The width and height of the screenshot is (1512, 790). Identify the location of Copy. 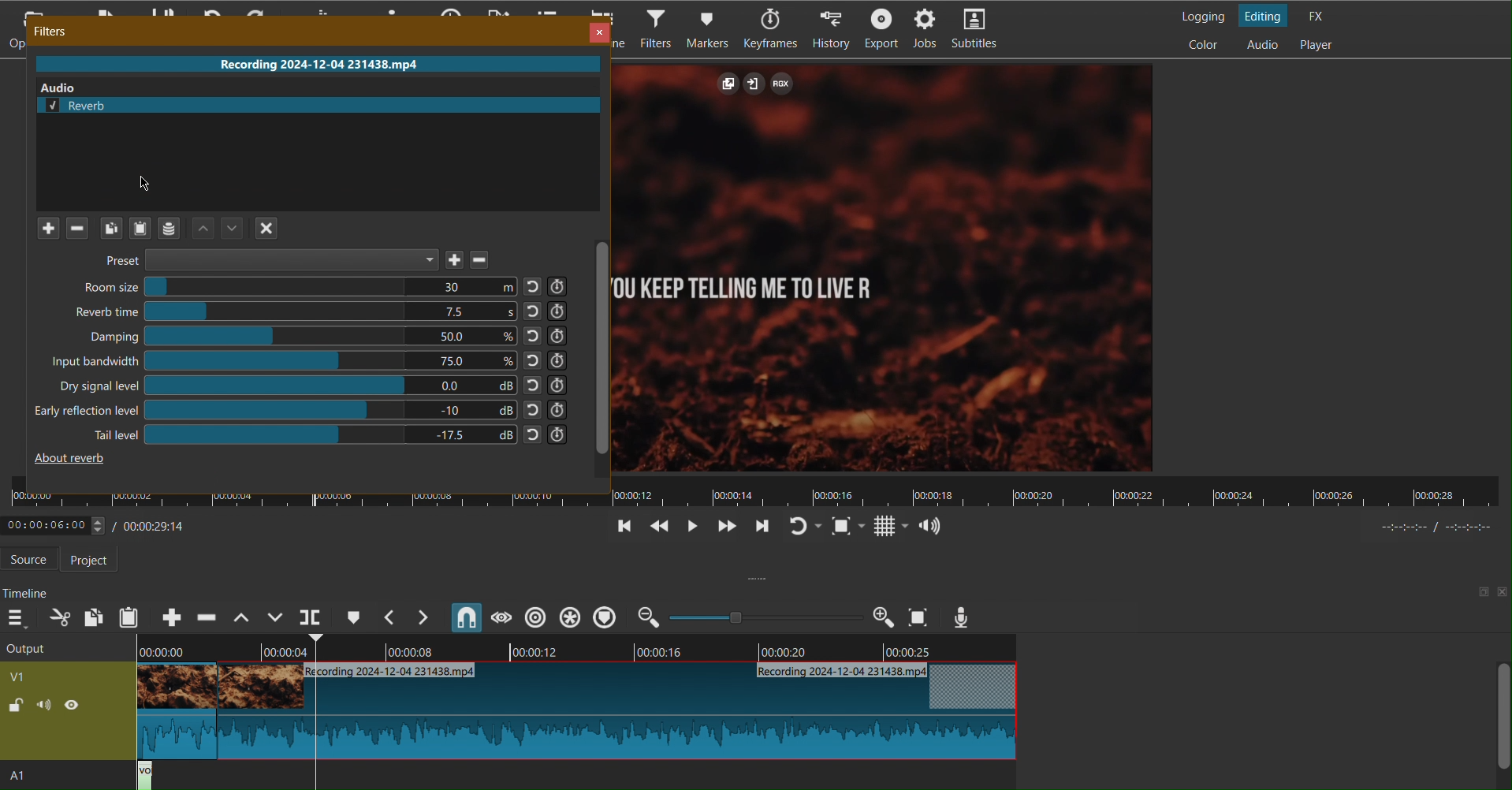
(93, 616).